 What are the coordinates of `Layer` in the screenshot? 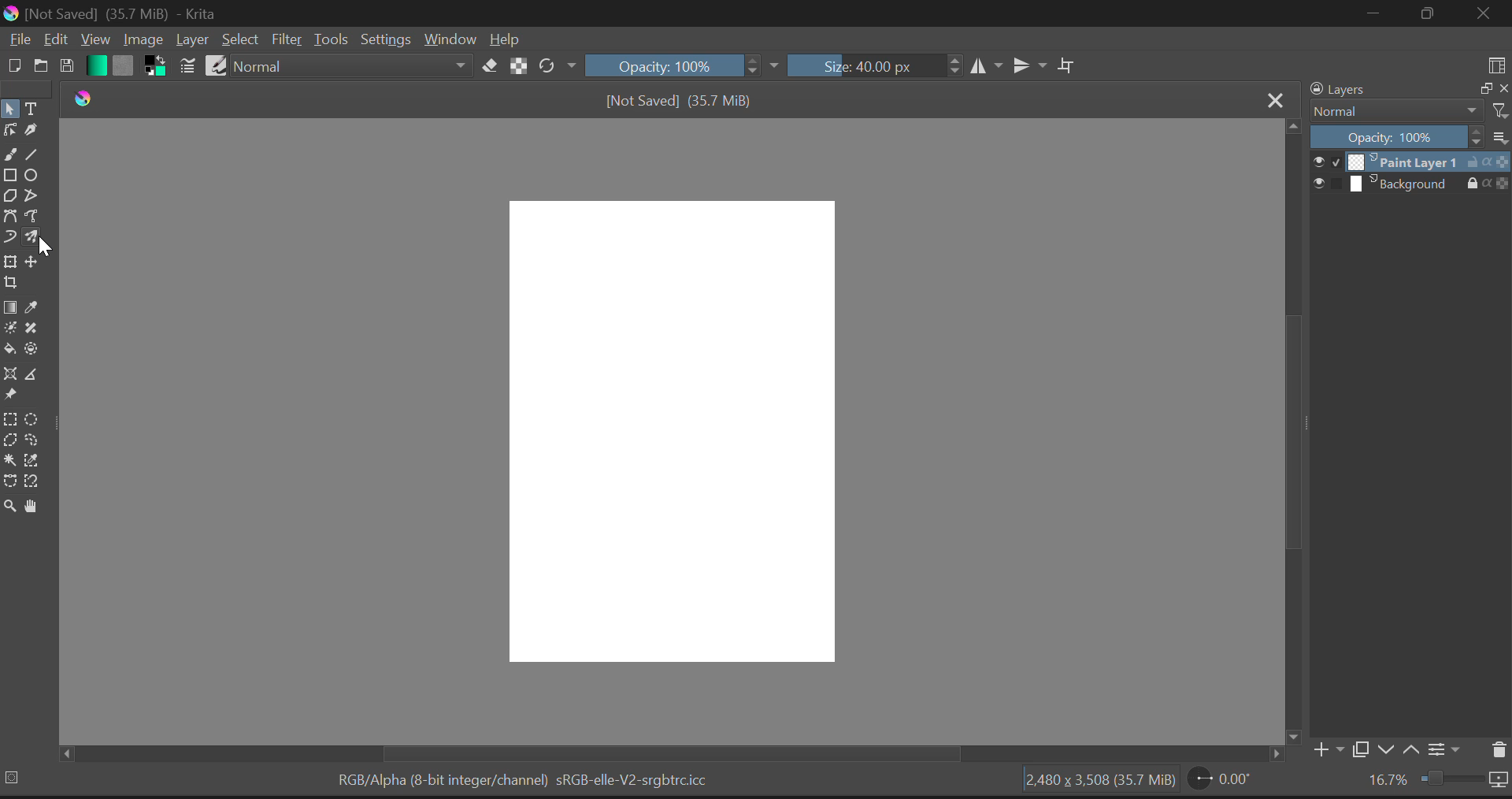 It's located at (192, 40).